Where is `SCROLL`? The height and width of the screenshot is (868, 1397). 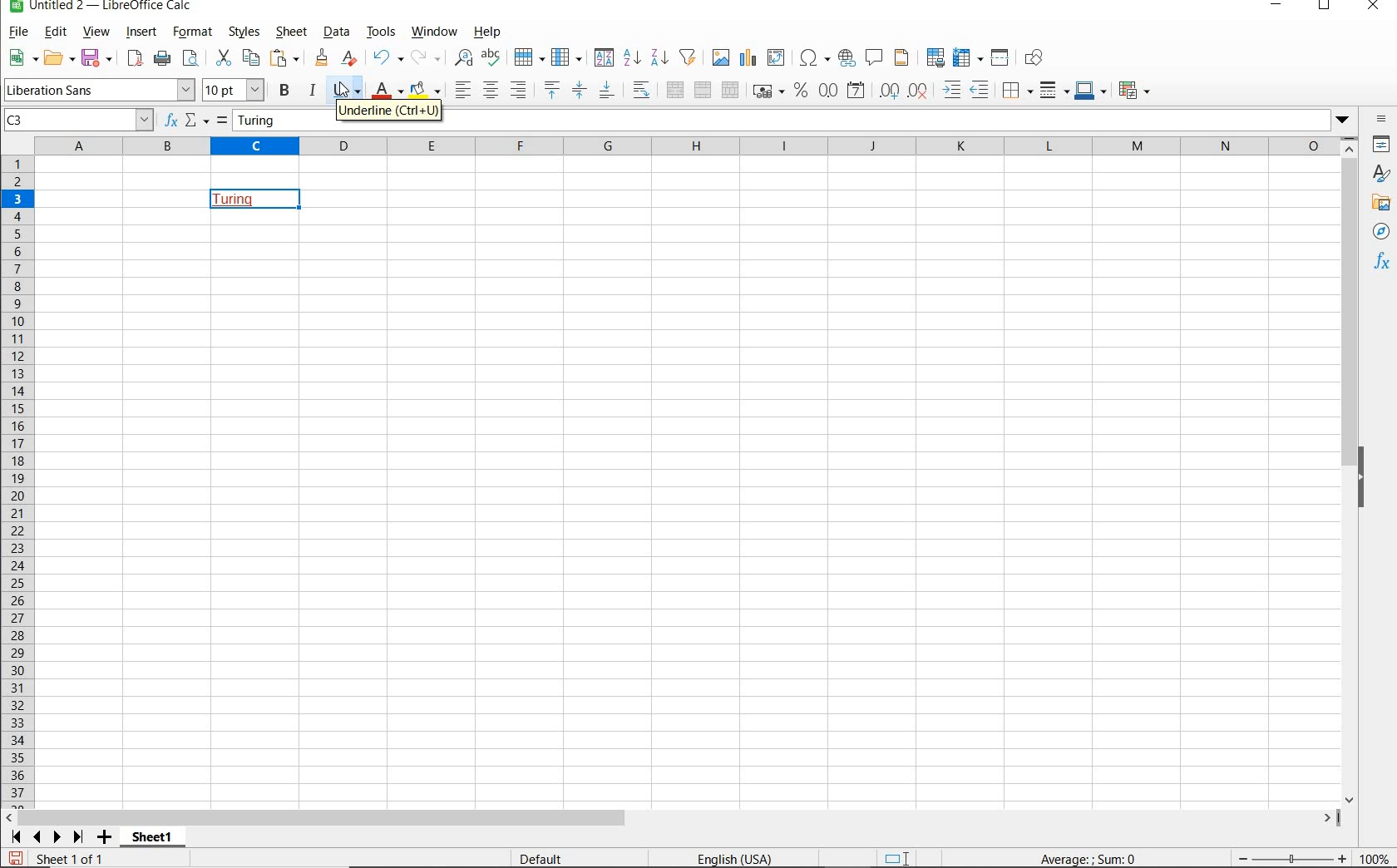 SCROLL is located at coordinates (45, 837).